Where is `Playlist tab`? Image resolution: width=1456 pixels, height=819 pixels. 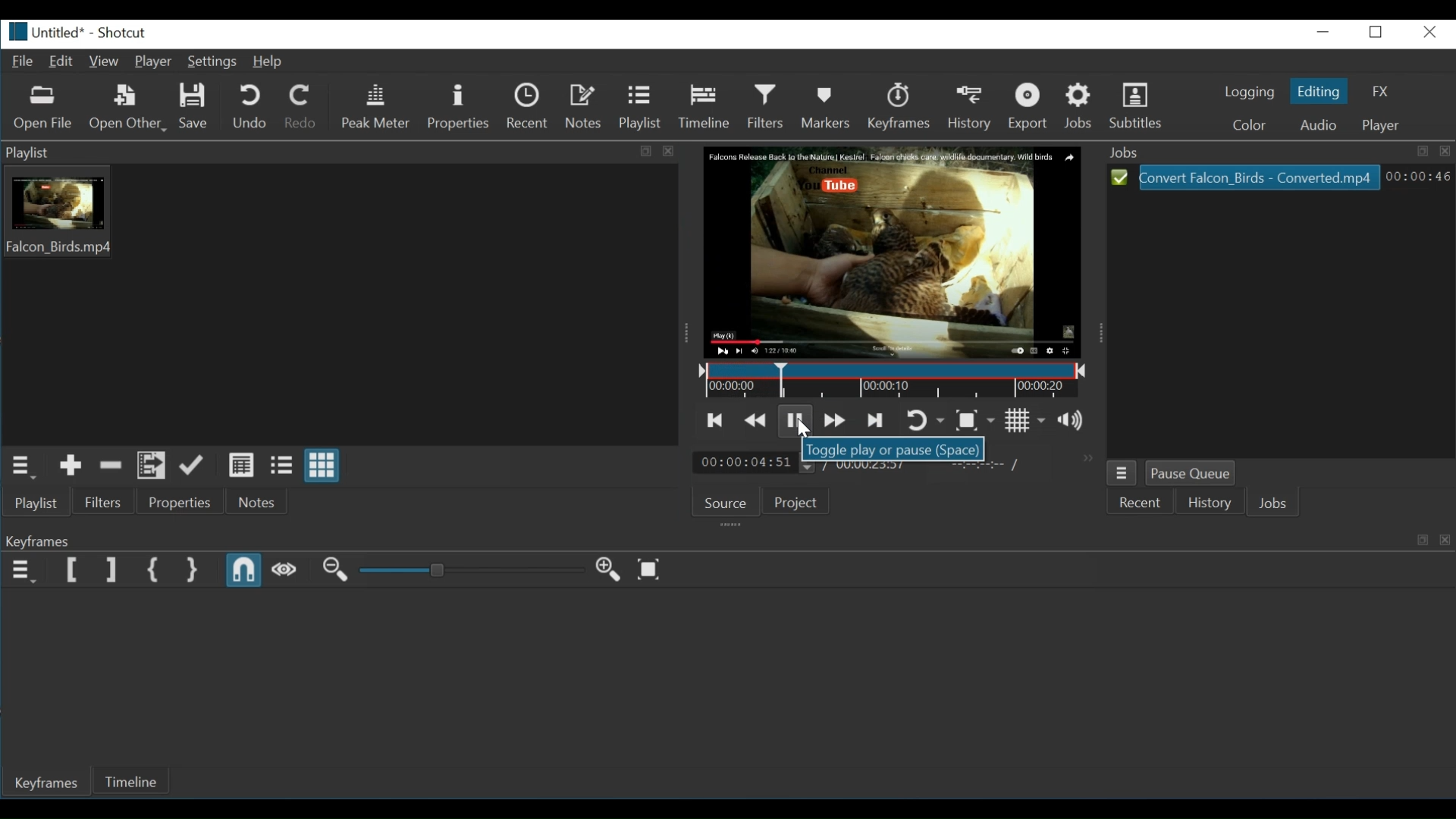
Playlist tab is located at coordinates (340, 150).